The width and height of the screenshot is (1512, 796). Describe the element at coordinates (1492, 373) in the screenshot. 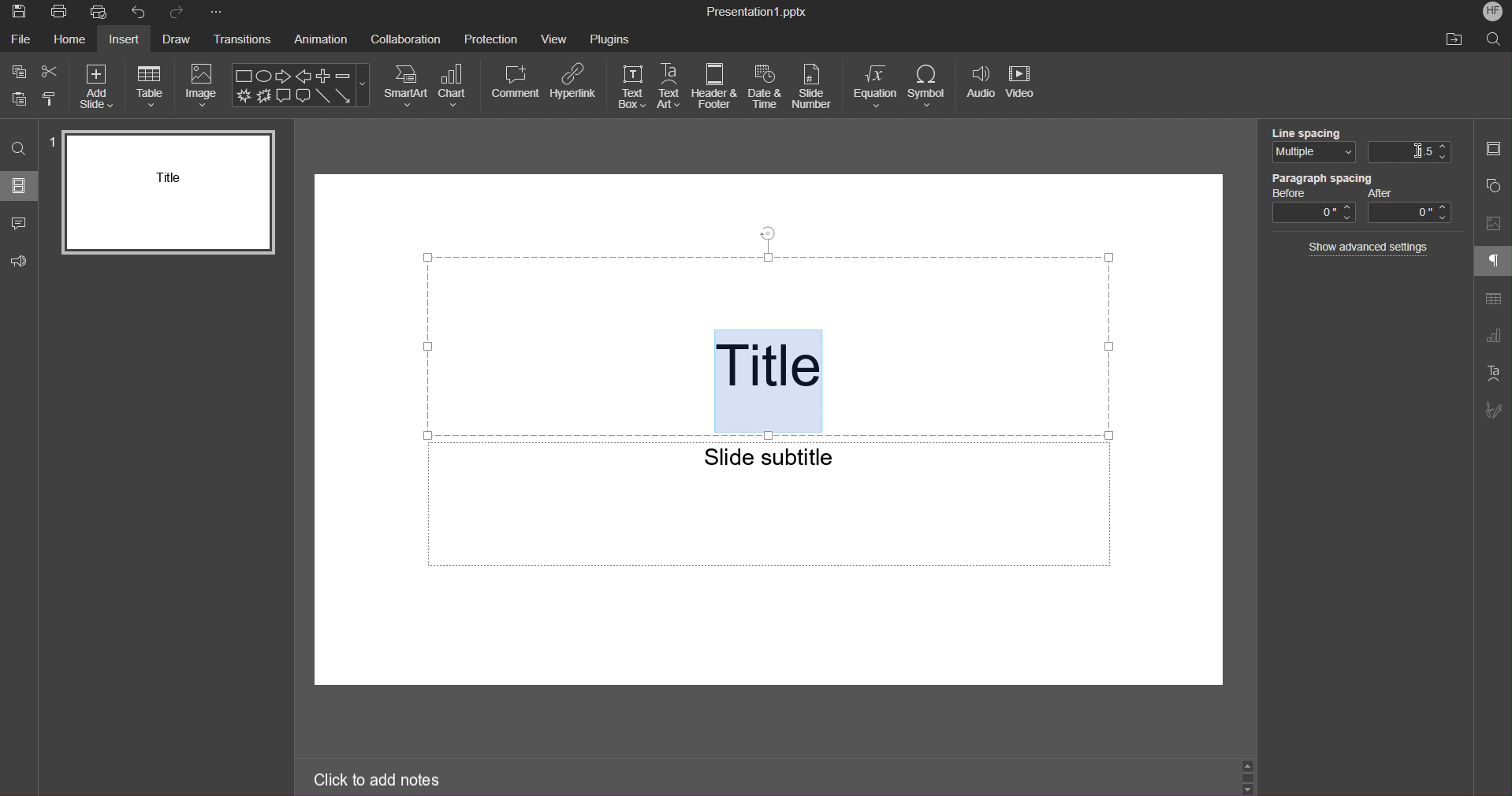

I see `Text Art` at that location.